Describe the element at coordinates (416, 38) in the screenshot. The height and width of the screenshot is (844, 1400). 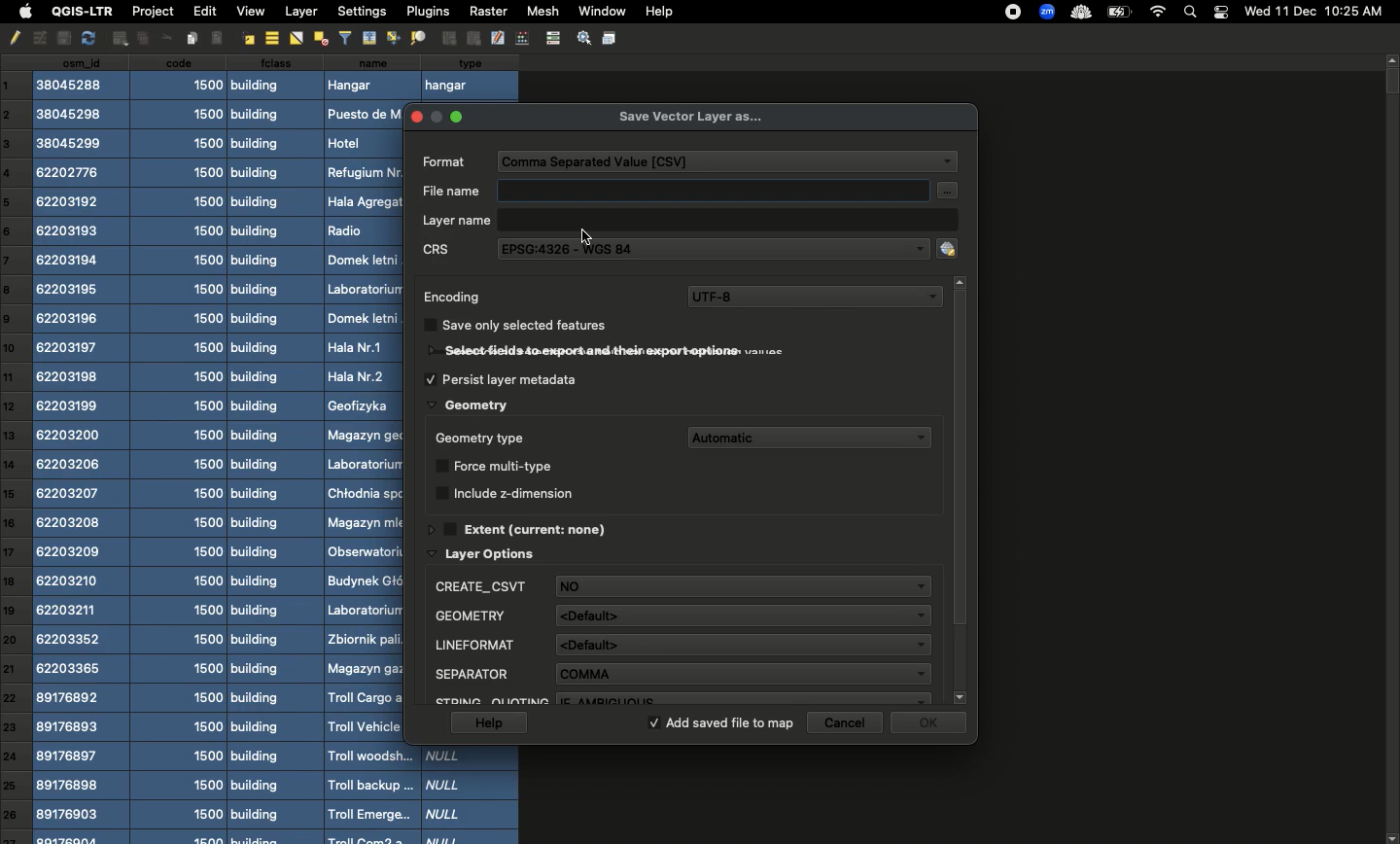
I see `Distribute Objects Evenly` at that location.